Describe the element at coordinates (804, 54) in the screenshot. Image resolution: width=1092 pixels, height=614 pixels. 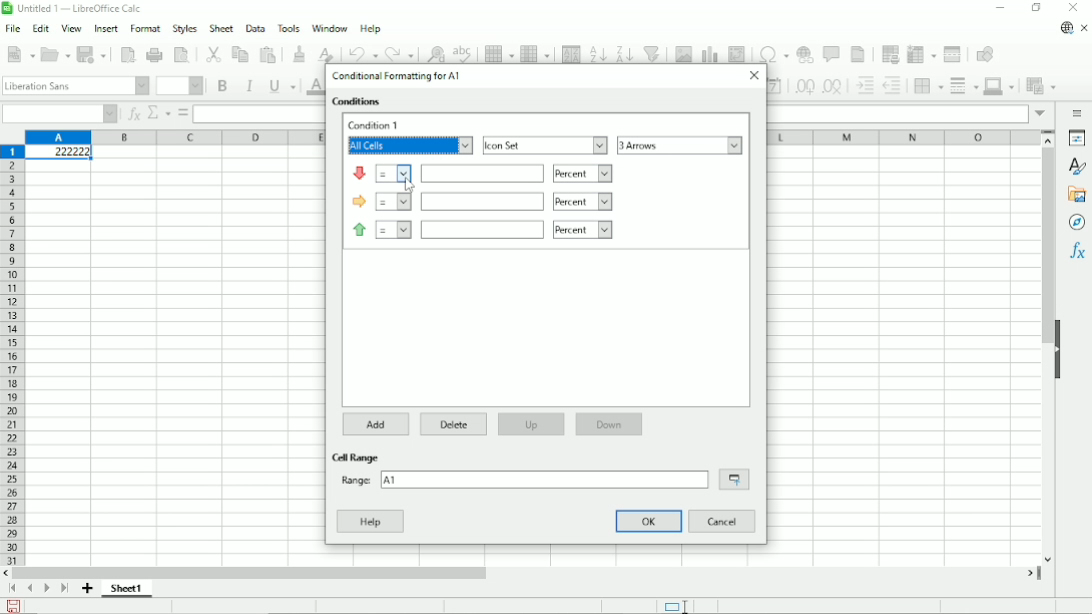
I see `Insert hyperlink` at that location.